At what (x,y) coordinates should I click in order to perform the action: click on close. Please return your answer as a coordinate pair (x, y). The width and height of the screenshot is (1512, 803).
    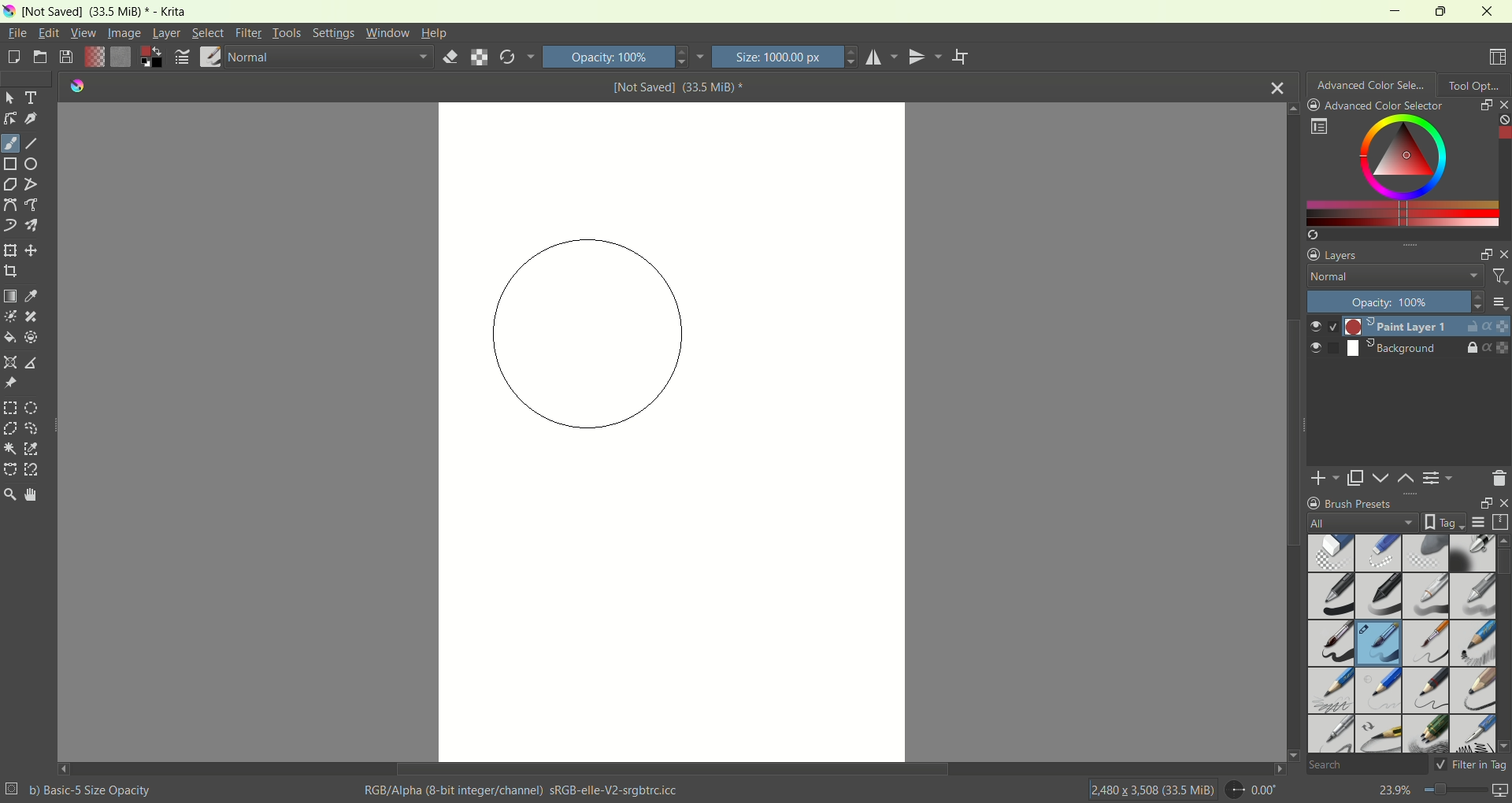
    Looking at the image, I should click on (1501, 503).